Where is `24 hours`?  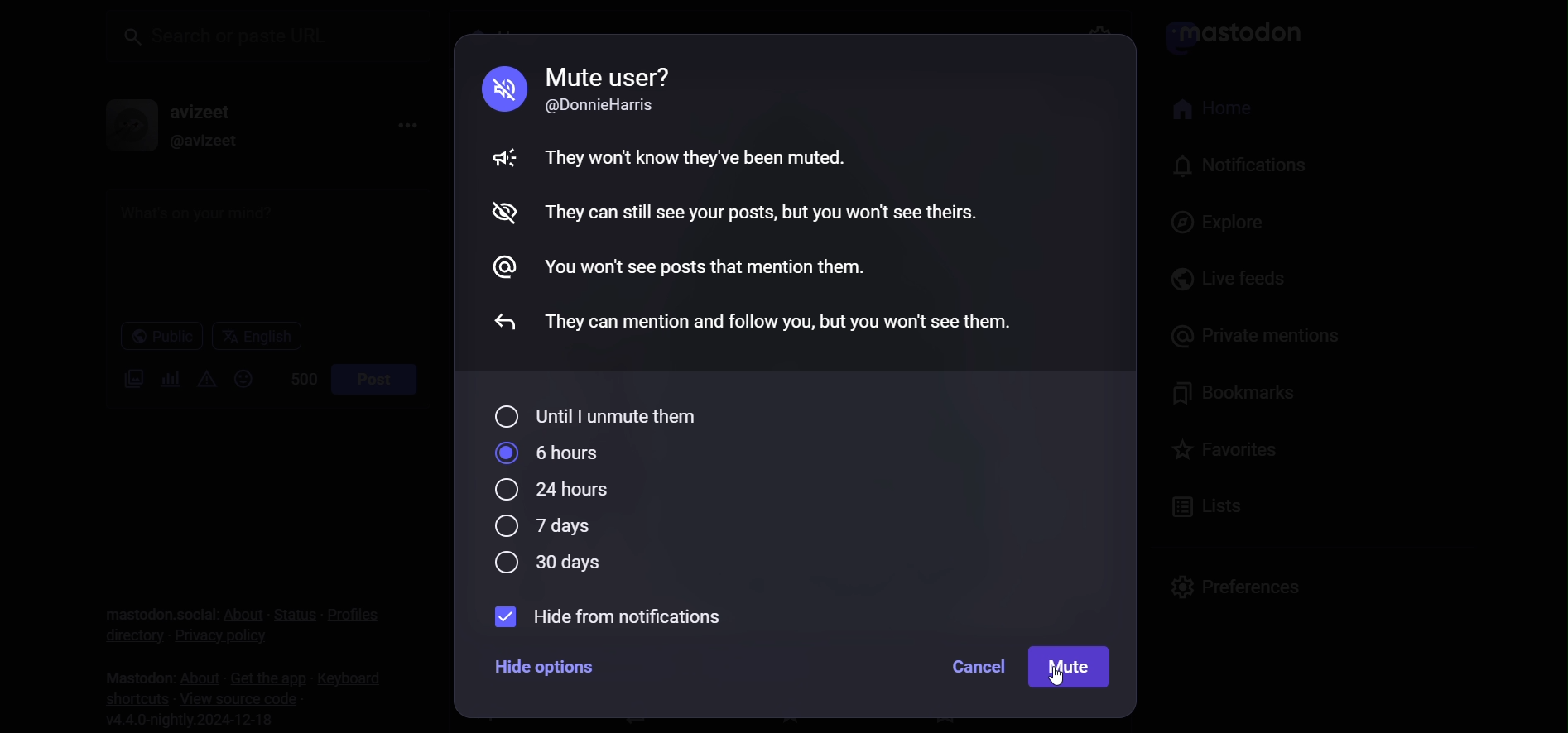 24 hours is located at coordinates (557, 491).